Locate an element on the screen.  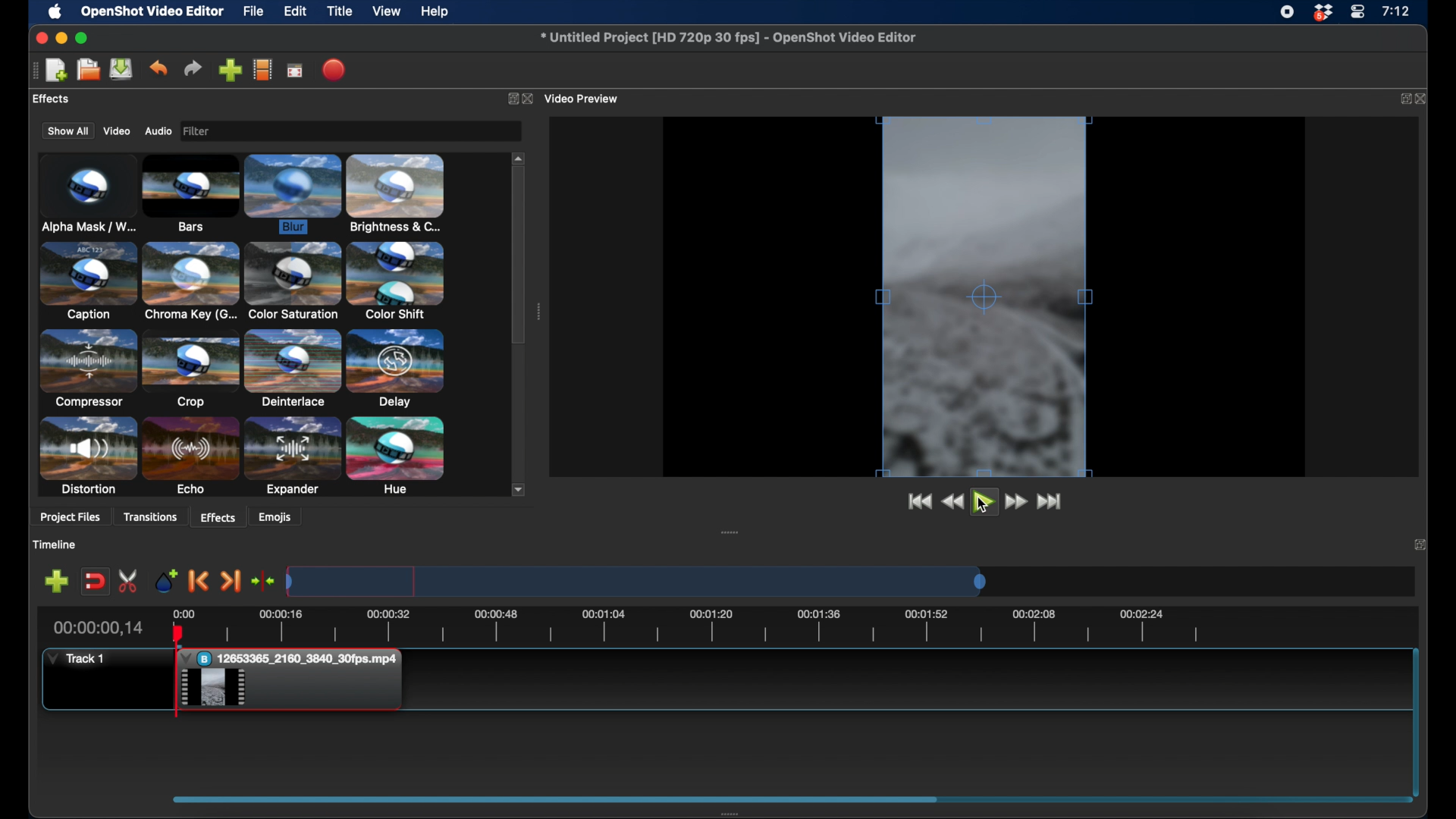
image is located at coordinates (200, 132).